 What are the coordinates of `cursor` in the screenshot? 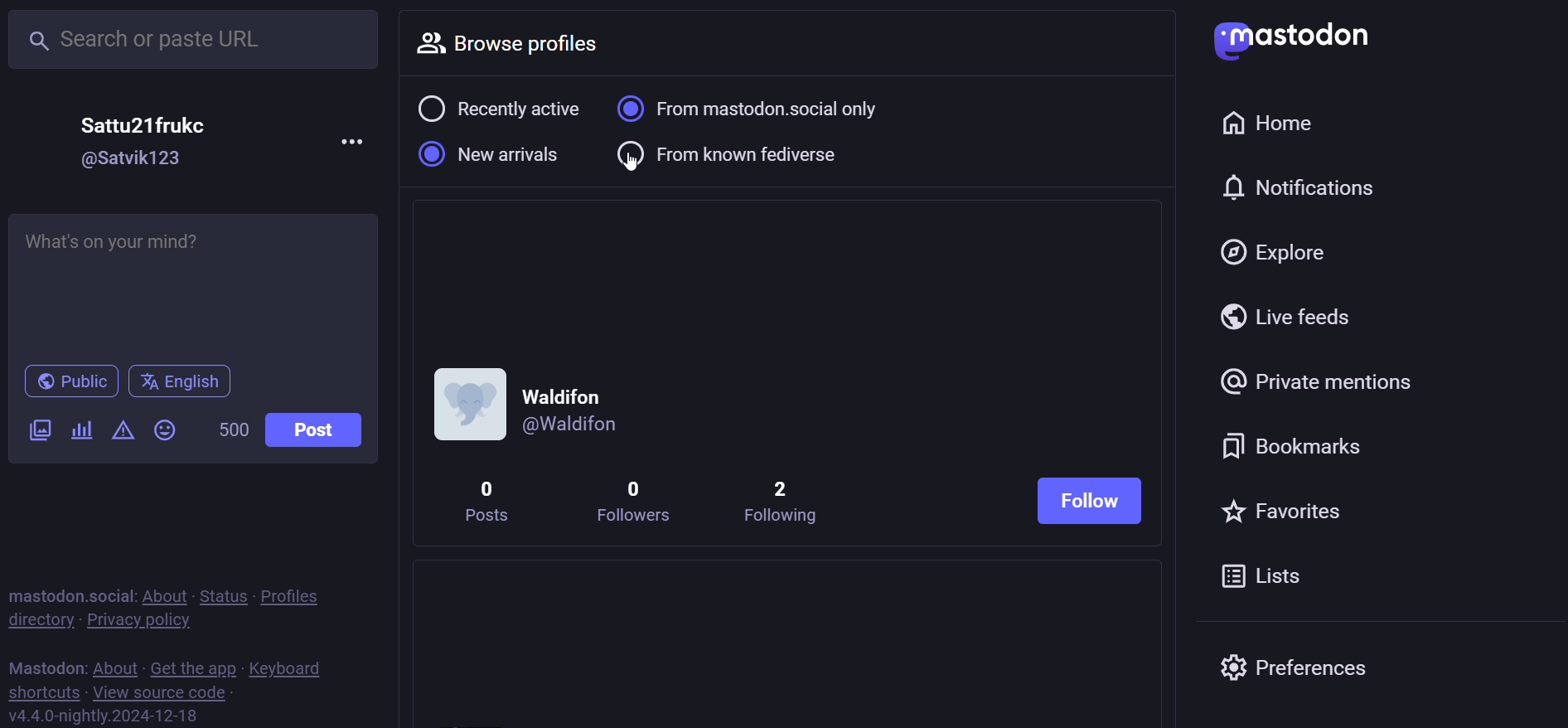 It's located at (644, 171).